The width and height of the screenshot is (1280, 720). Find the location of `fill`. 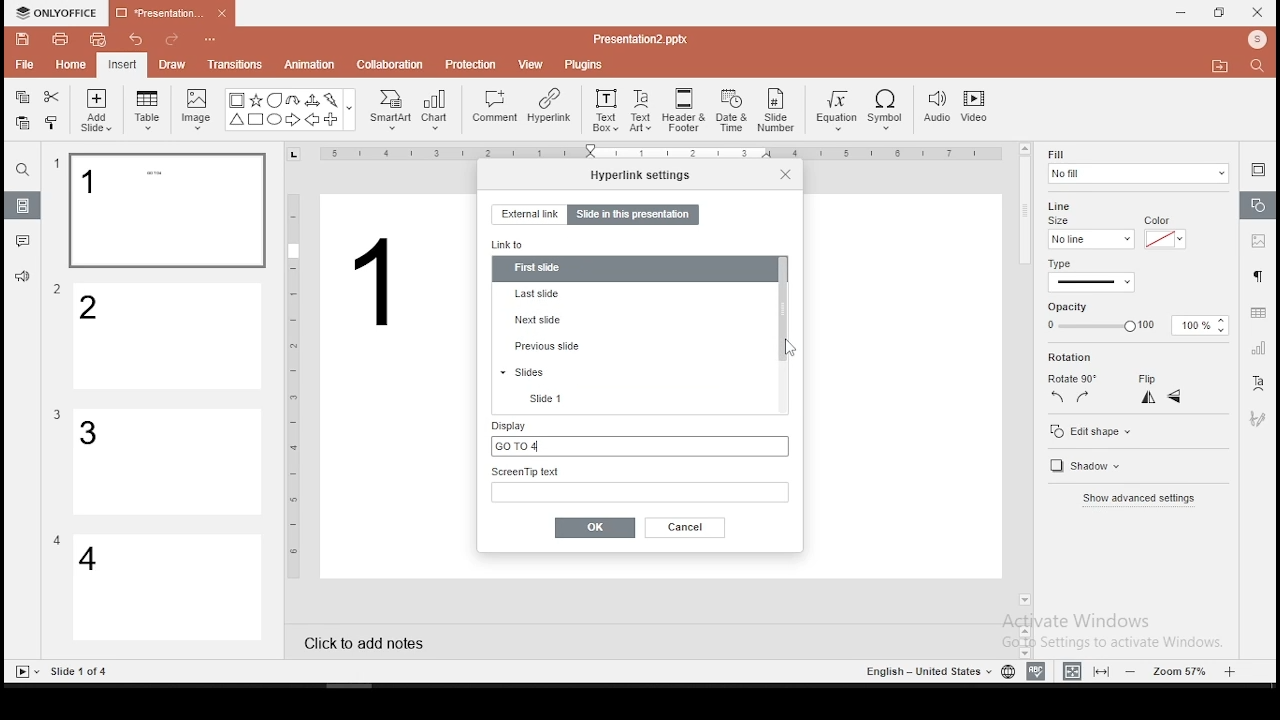

fill is located at coordinates (1137, 166).